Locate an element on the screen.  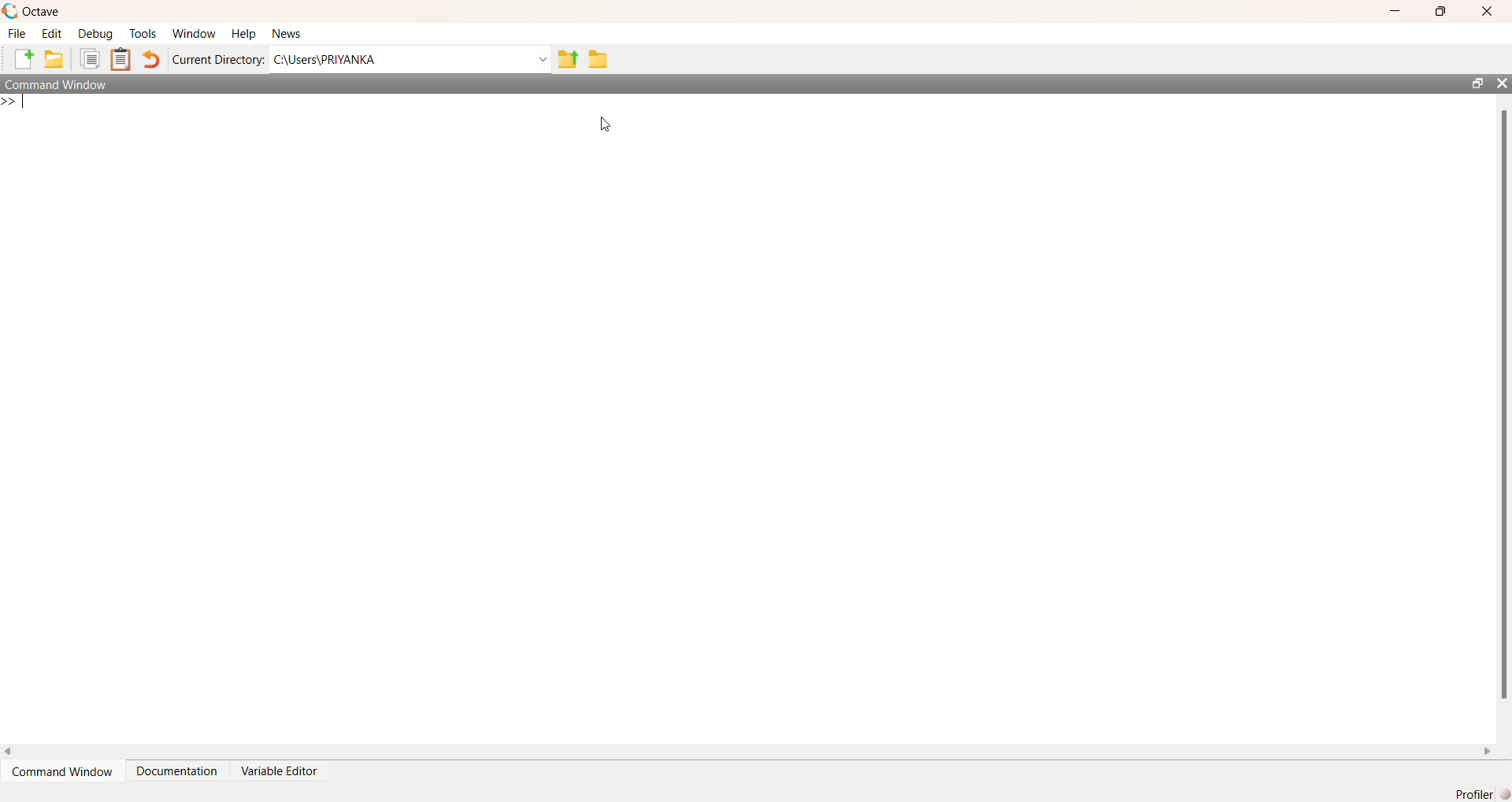
Octave is located at coordinates (41, 12).